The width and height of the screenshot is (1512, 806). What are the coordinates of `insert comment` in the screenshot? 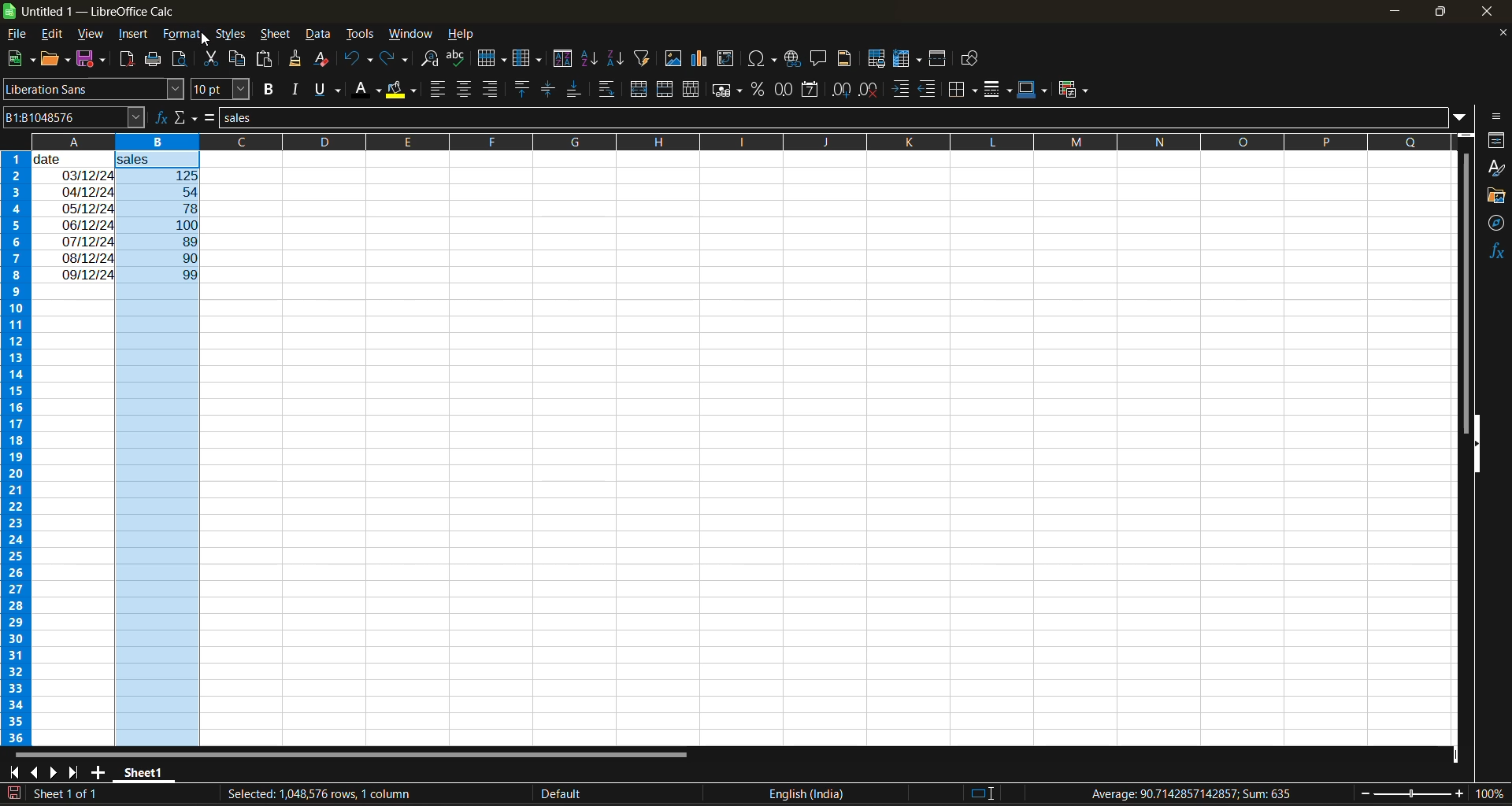 It's located at (820, 59).